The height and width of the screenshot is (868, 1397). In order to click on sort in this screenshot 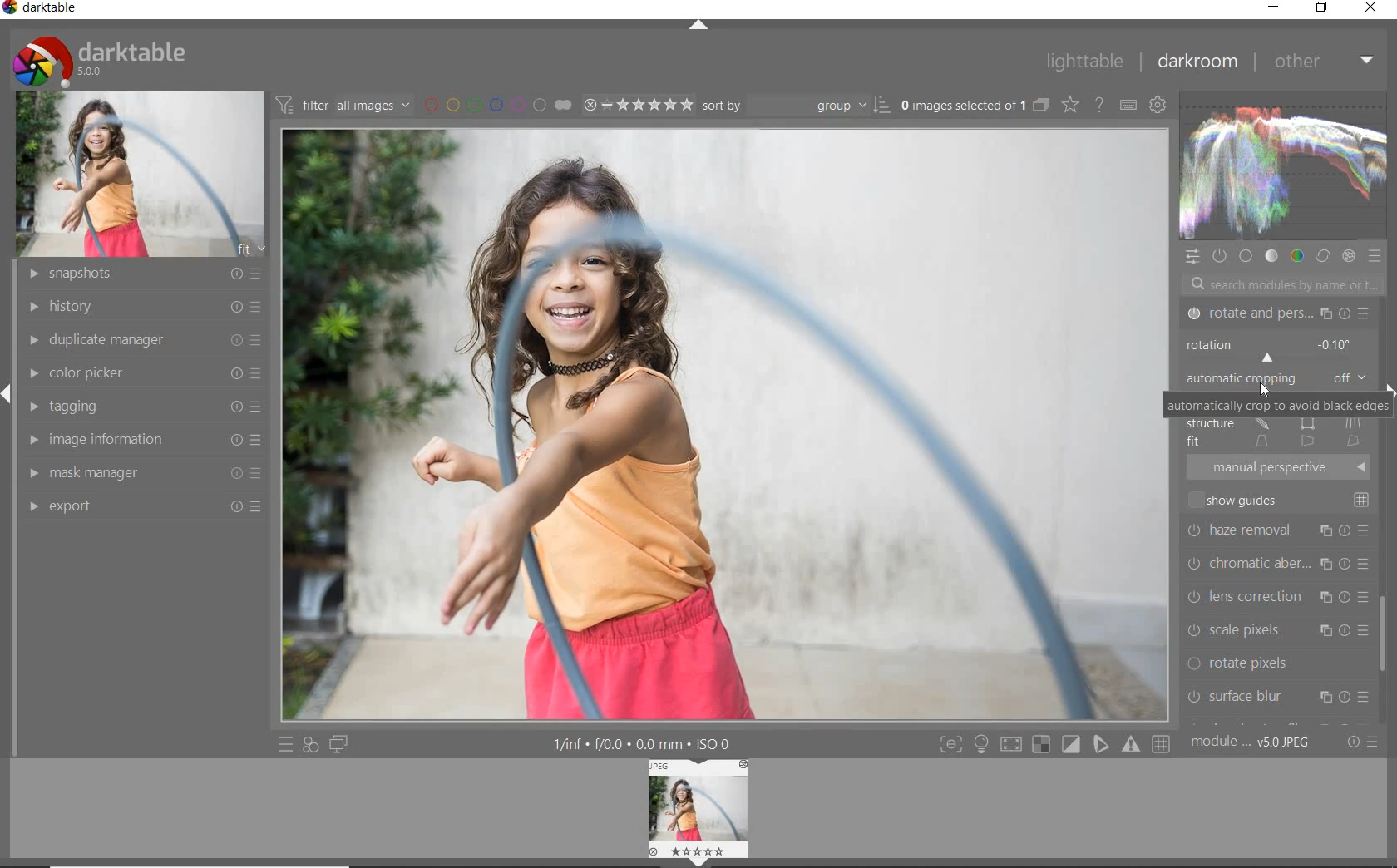, I will do `click(797, 104)`.